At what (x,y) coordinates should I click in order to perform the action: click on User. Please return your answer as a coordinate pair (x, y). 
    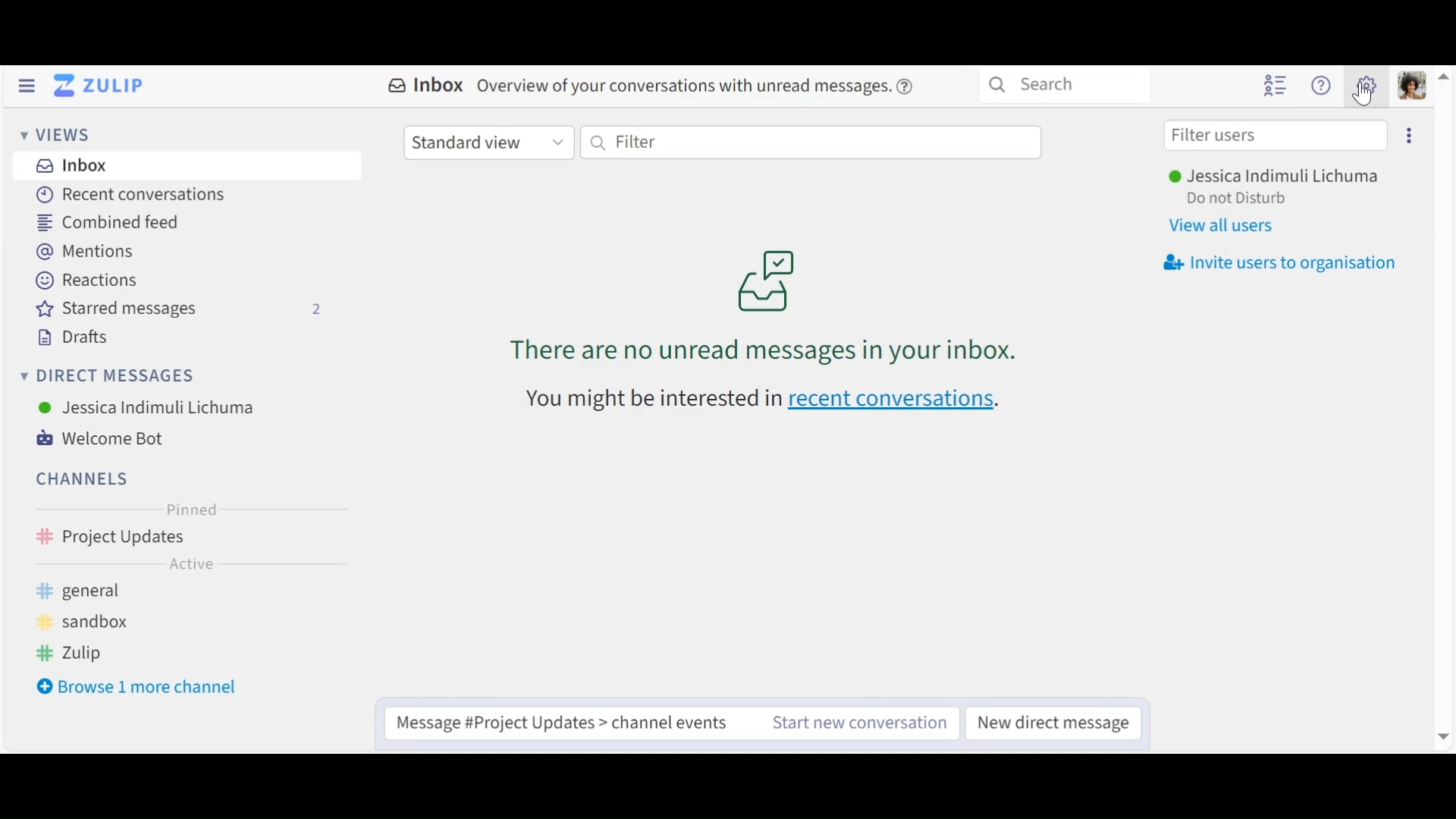
    Looking at the image, I should click on (143, 409).